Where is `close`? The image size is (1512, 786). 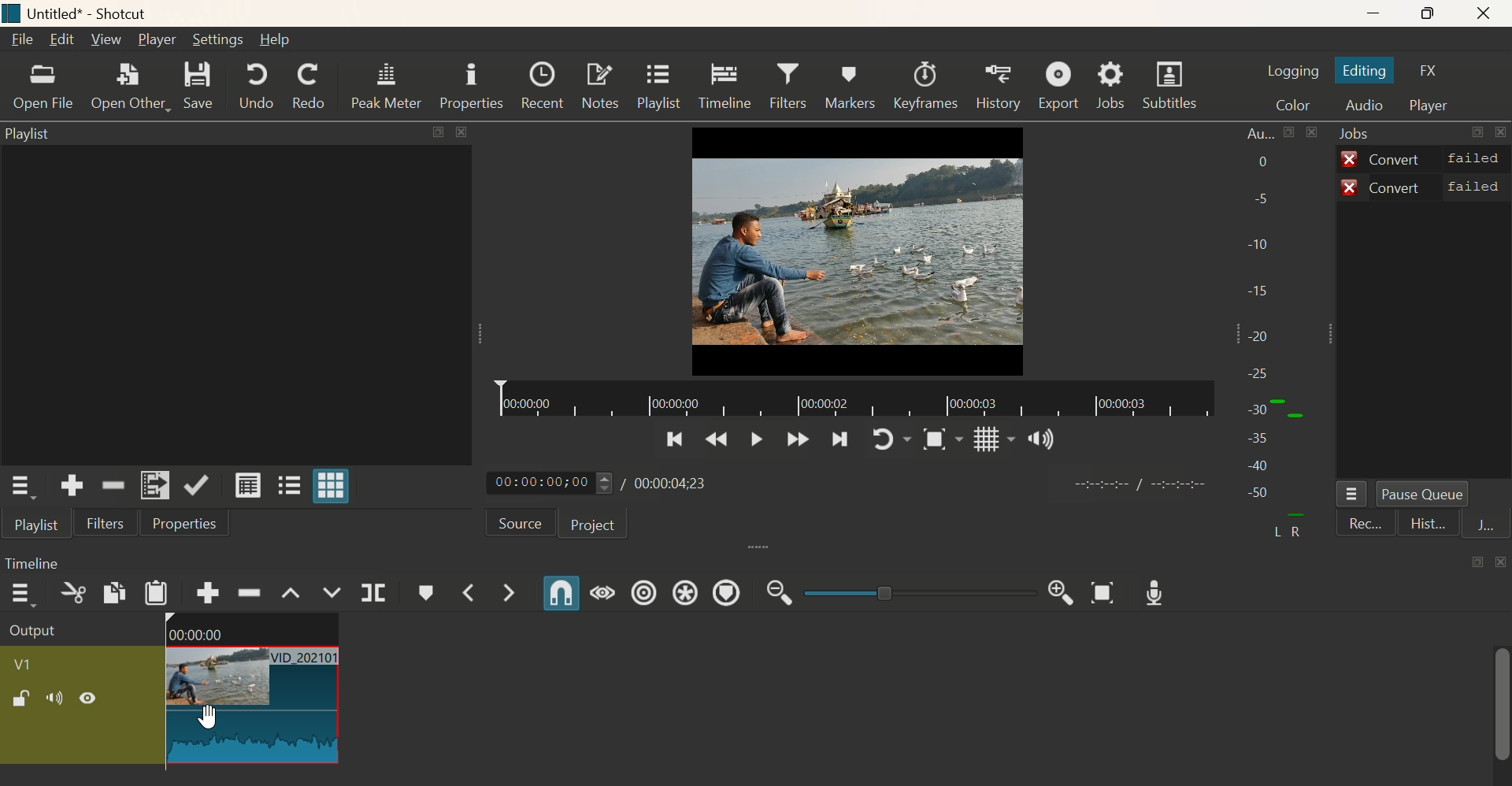 close is located at coordinates (462, 133).